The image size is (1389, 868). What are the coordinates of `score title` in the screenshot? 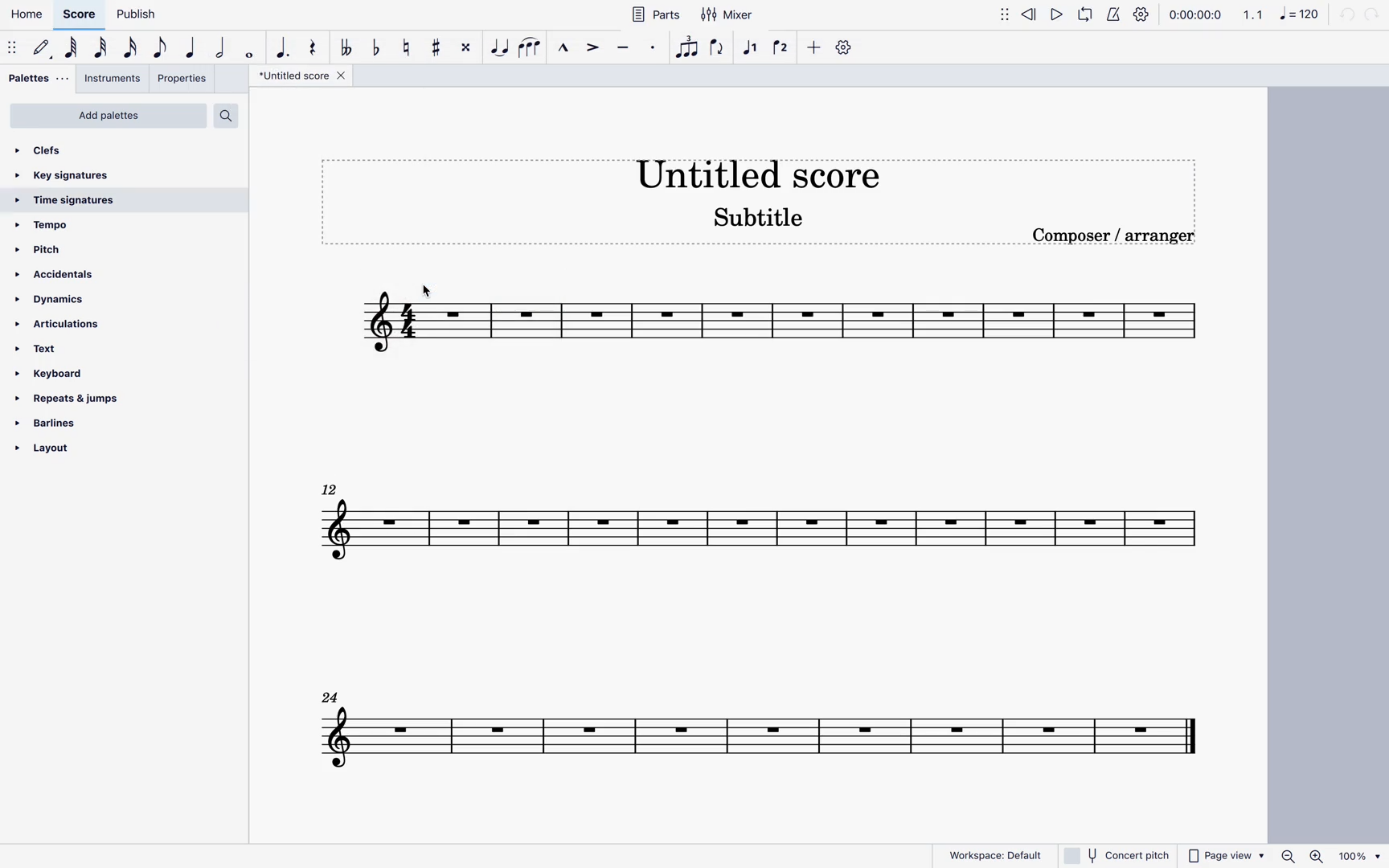 It's located at (290, 76).